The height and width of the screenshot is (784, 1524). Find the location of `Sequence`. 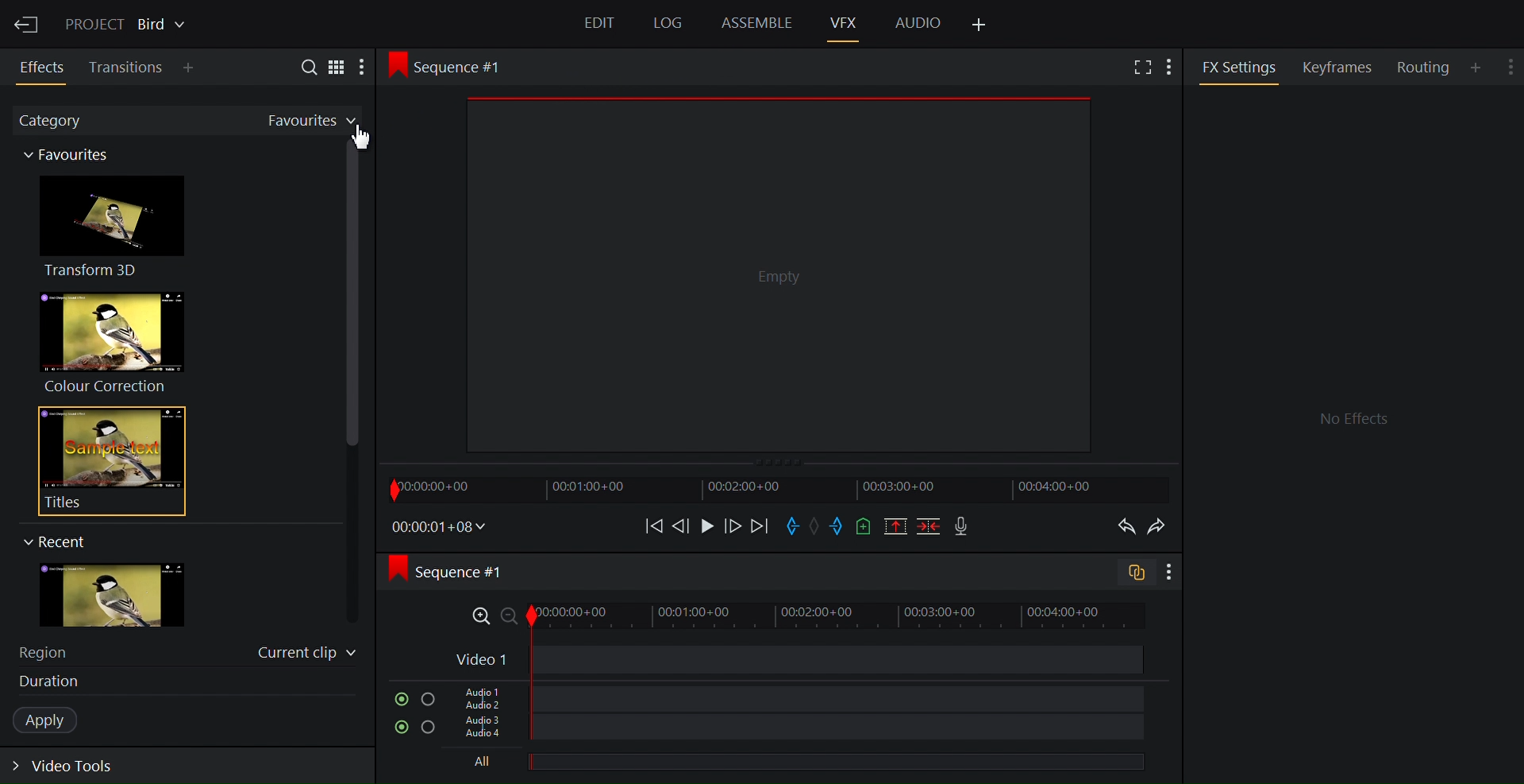

Sequence is located at coordinates (462, 65).